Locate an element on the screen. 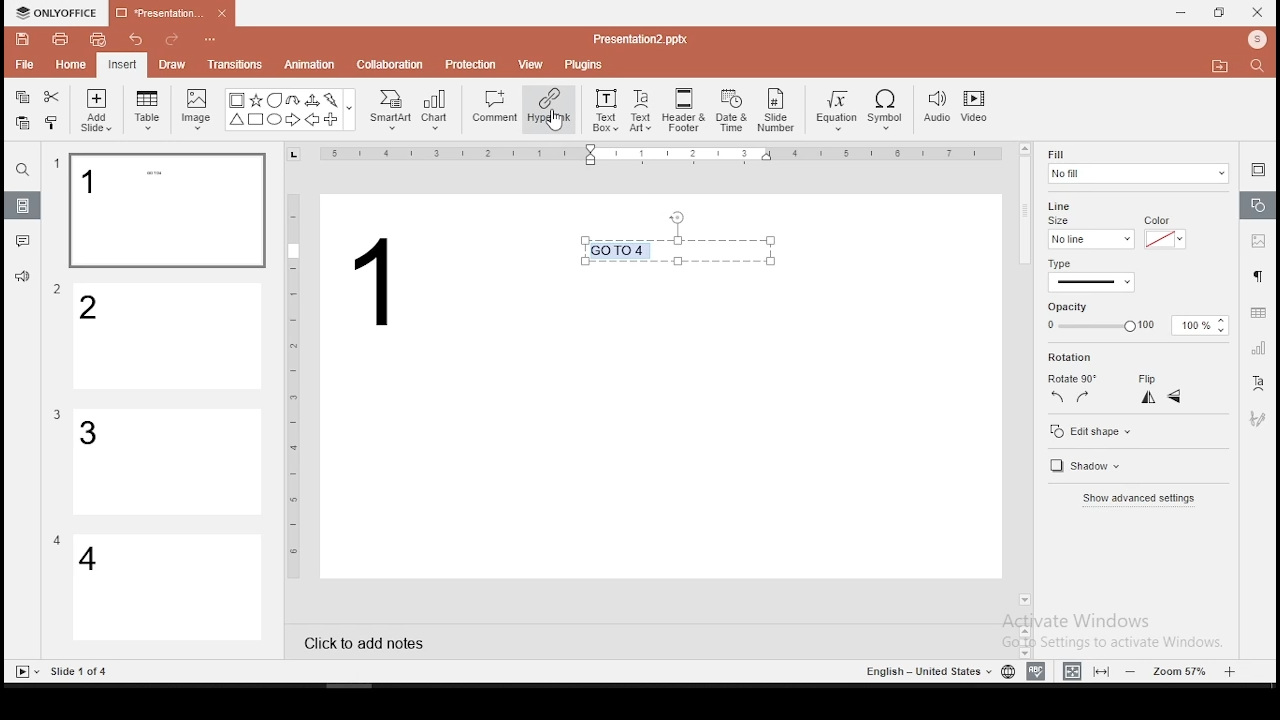 This screenshot has width=1280, height=720.  is located at coordinates (665, 155).